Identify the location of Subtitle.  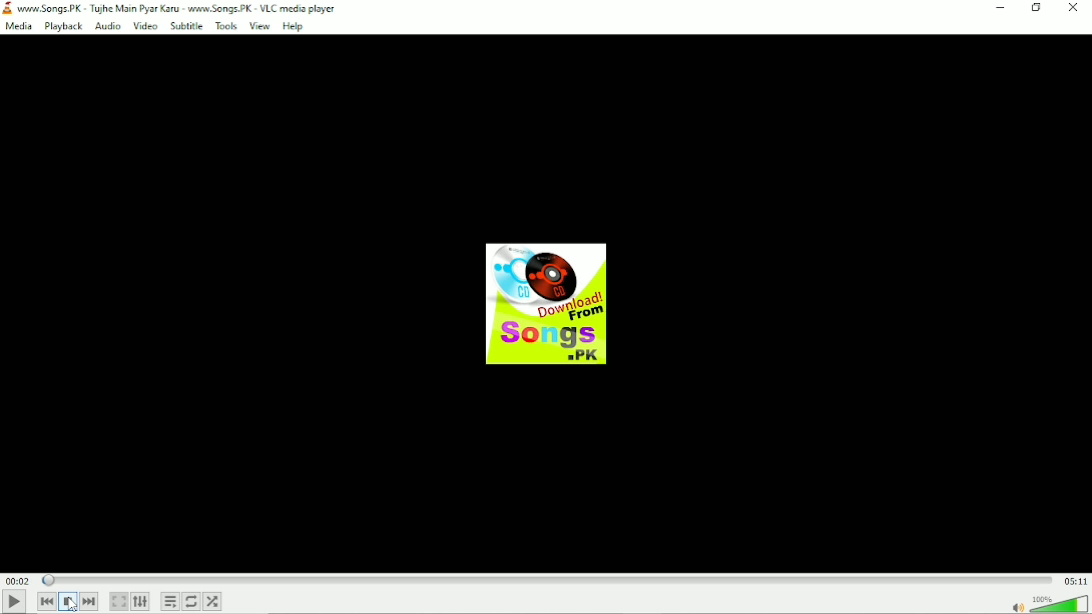
(186, 27).